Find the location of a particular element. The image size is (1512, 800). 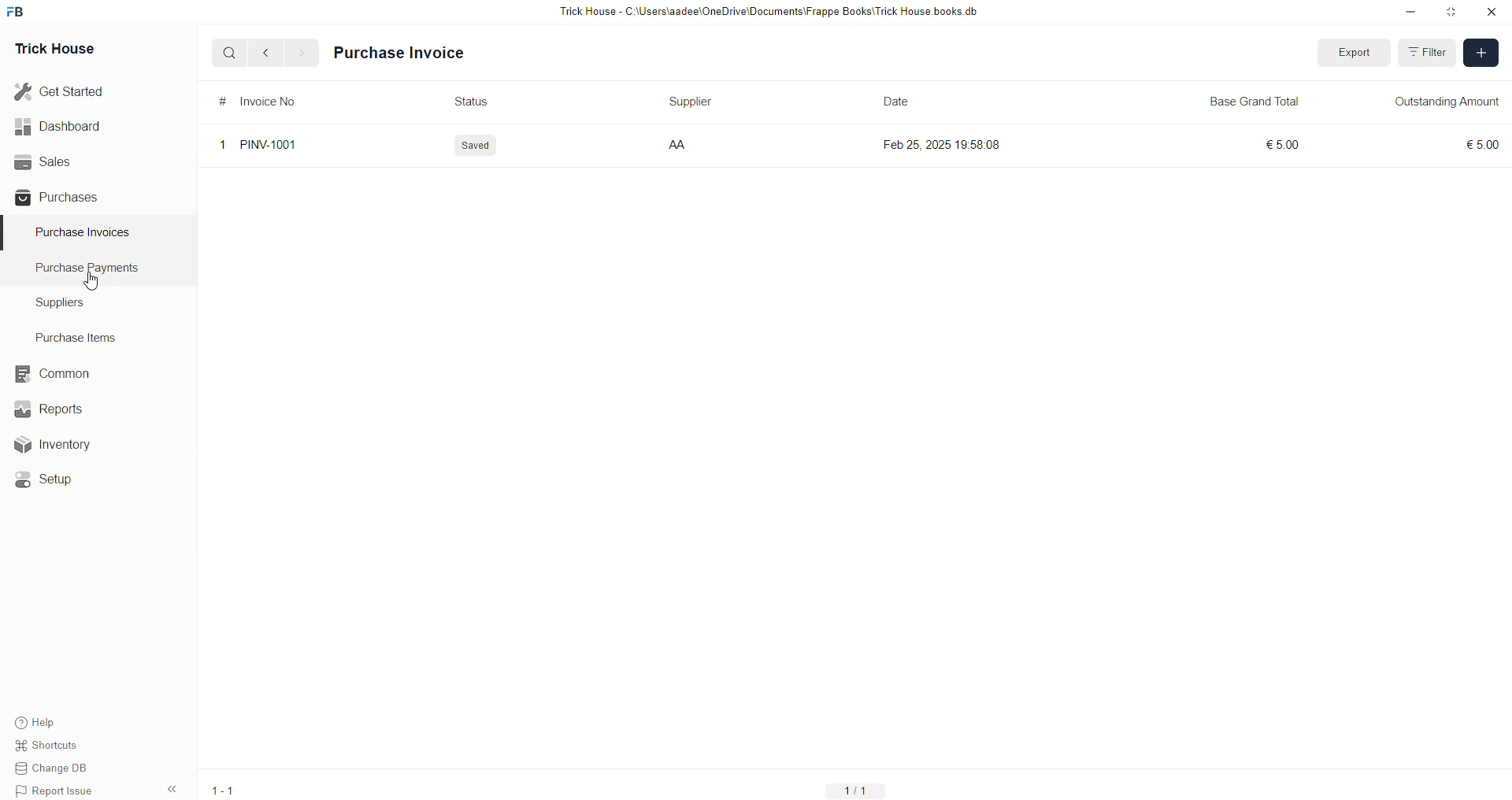

FILTER is located at coordinates (1427, 51).